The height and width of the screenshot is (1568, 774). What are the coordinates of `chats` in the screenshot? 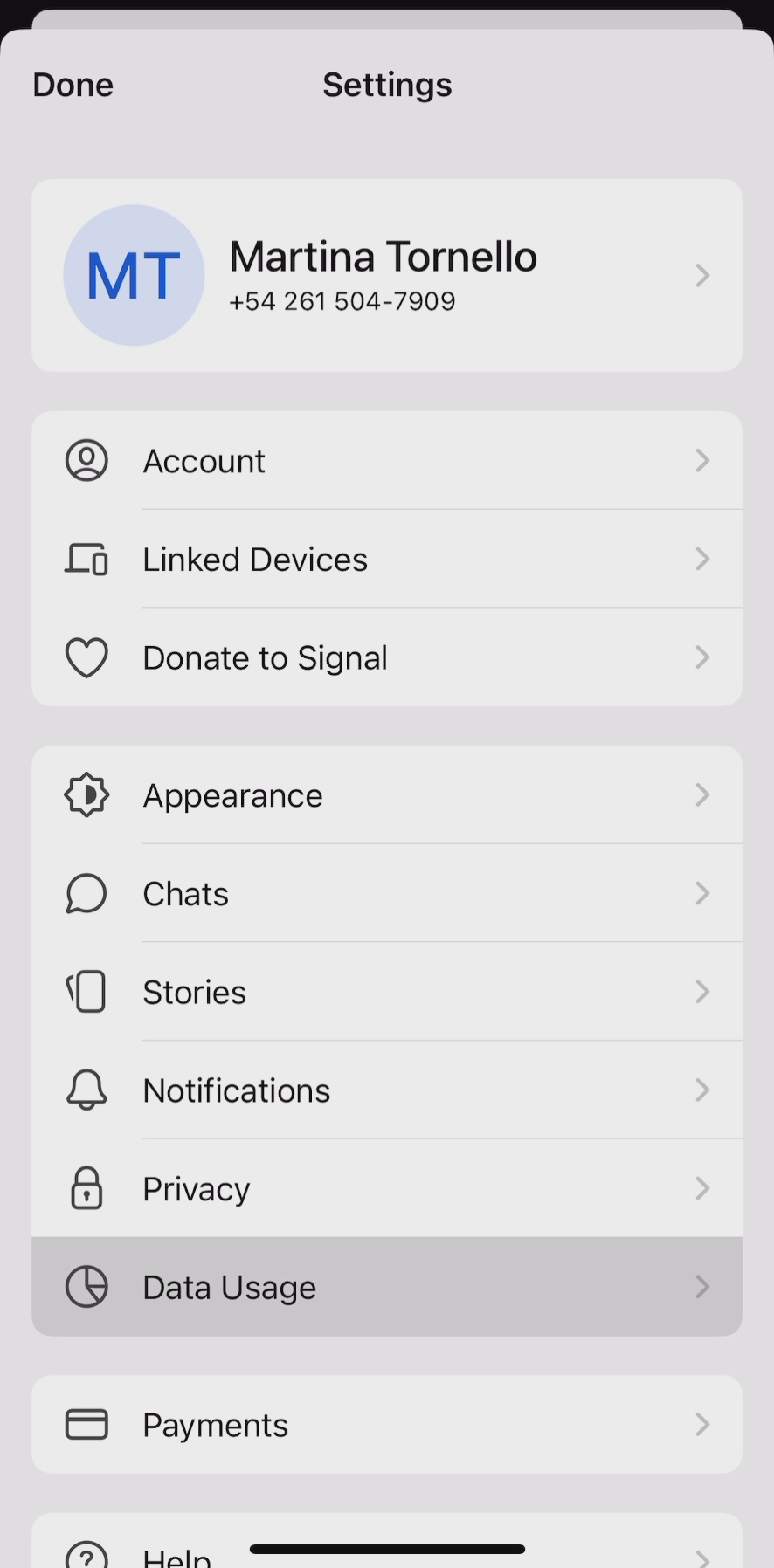 It's located at (387, 897).